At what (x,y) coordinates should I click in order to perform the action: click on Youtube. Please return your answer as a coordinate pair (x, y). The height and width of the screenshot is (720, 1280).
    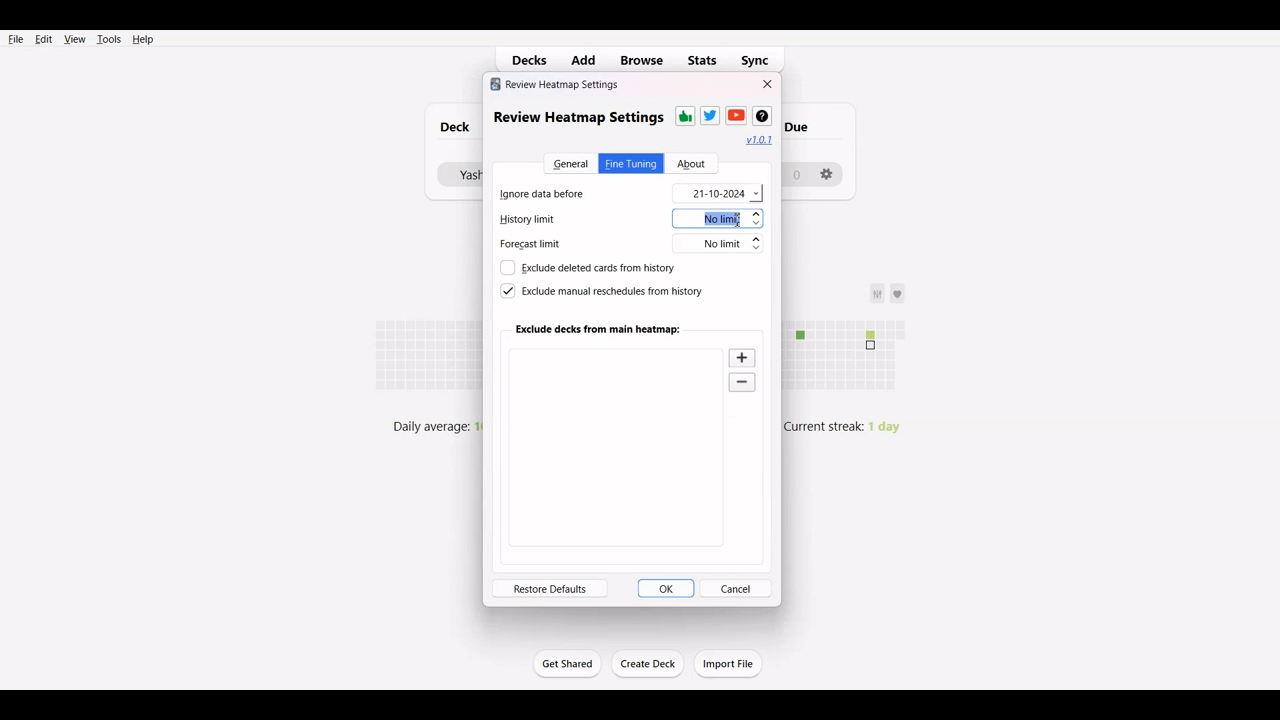
    Looking at the image, I should click on (736, 115).